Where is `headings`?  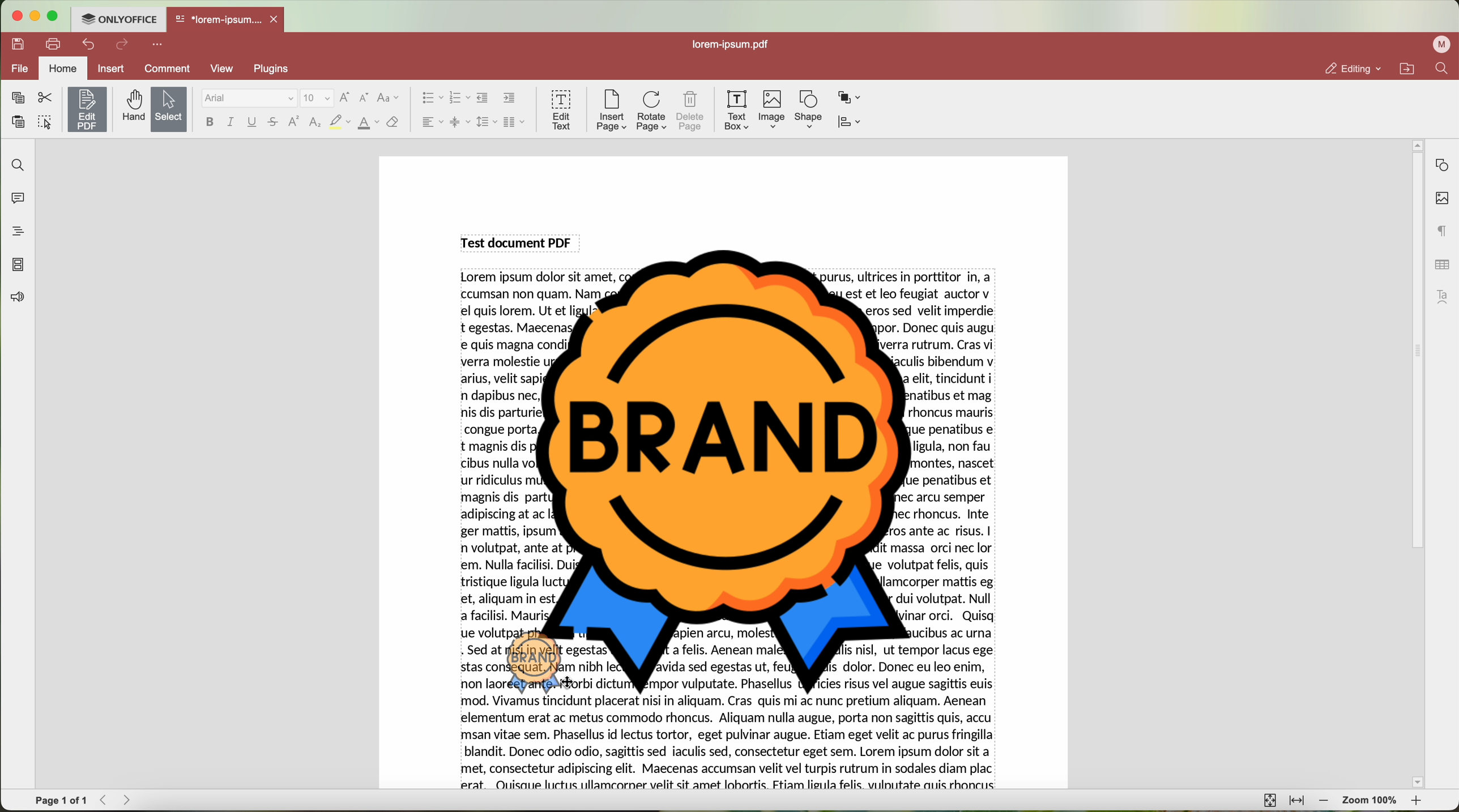
headings is located at coordinates (14, 231).